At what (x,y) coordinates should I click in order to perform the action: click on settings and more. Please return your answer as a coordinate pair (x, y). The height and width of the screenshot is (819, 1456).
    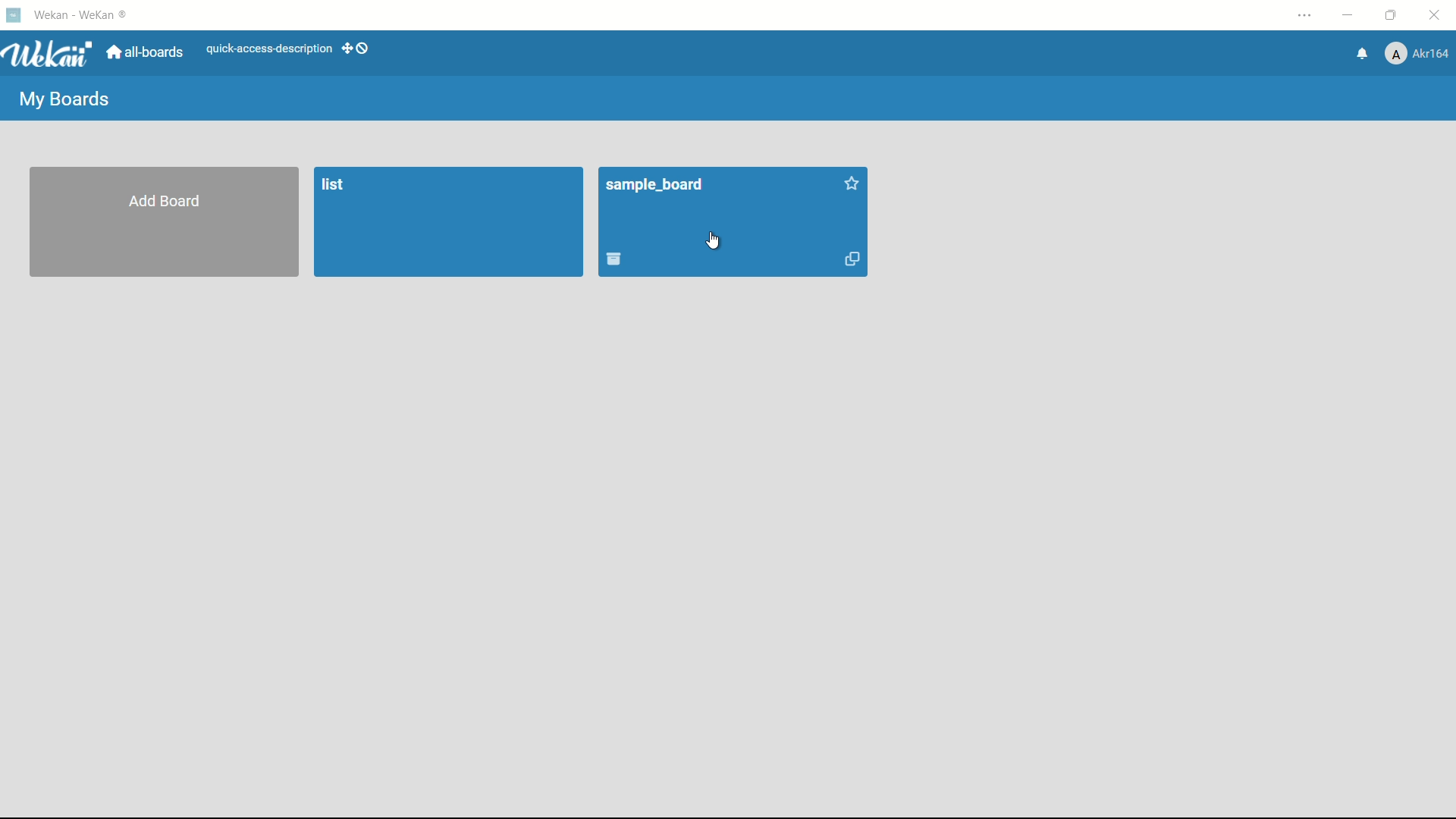
    Looking at the image, I should click on (1305, 16).